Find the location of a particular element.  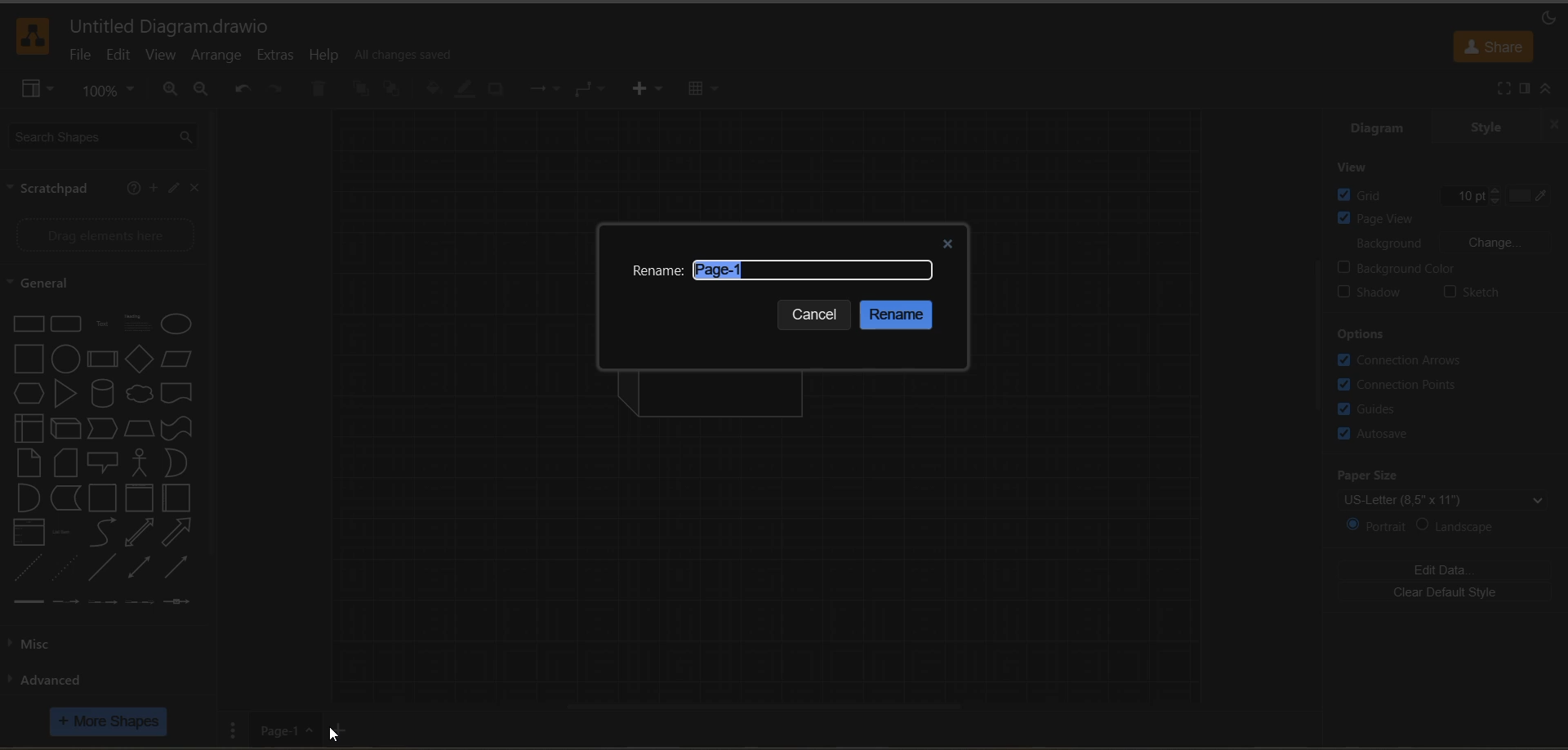

style is located at coordinates (1484, 128).